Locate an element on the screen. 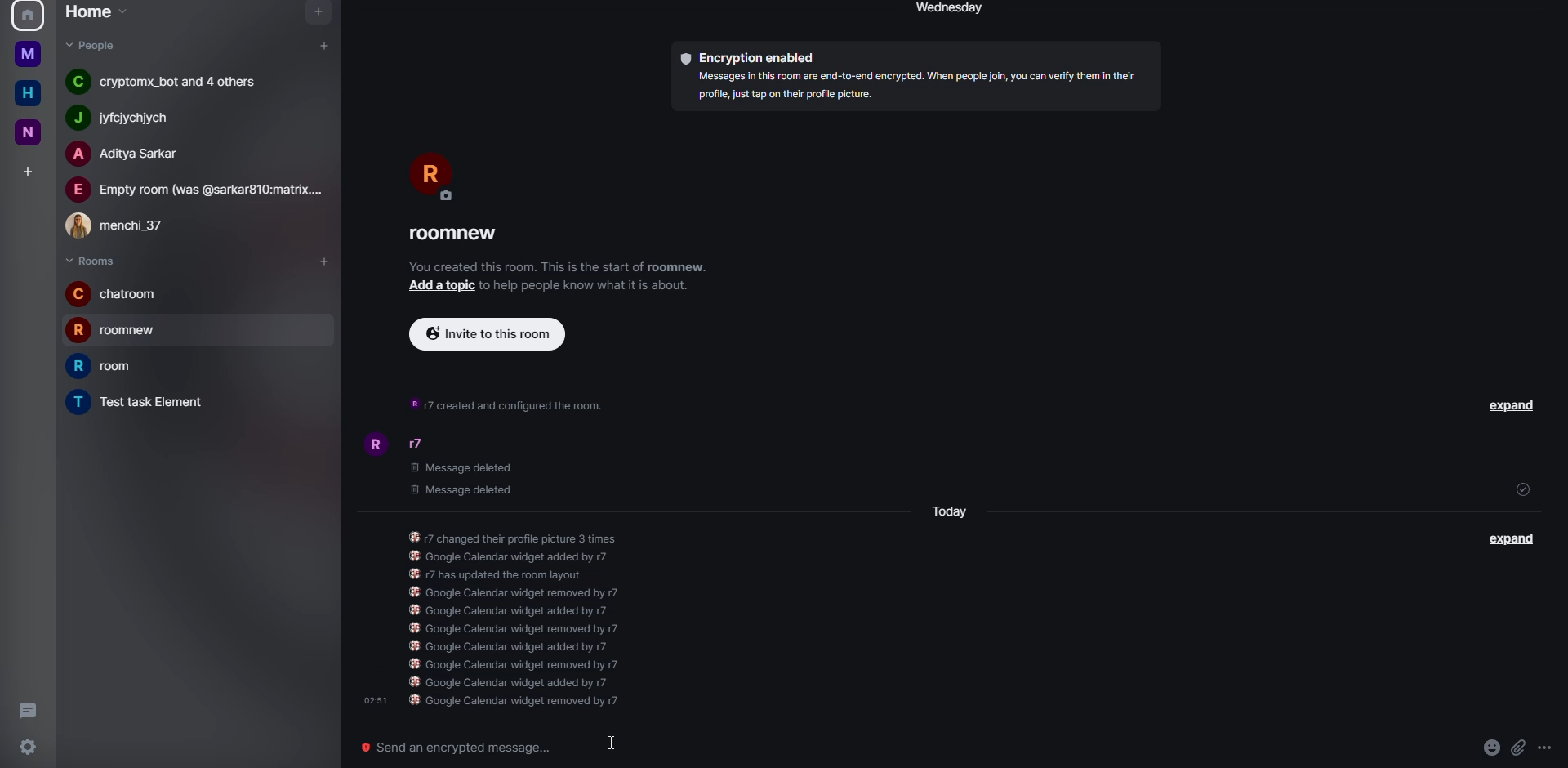  home is located at coordinates (95, 13).